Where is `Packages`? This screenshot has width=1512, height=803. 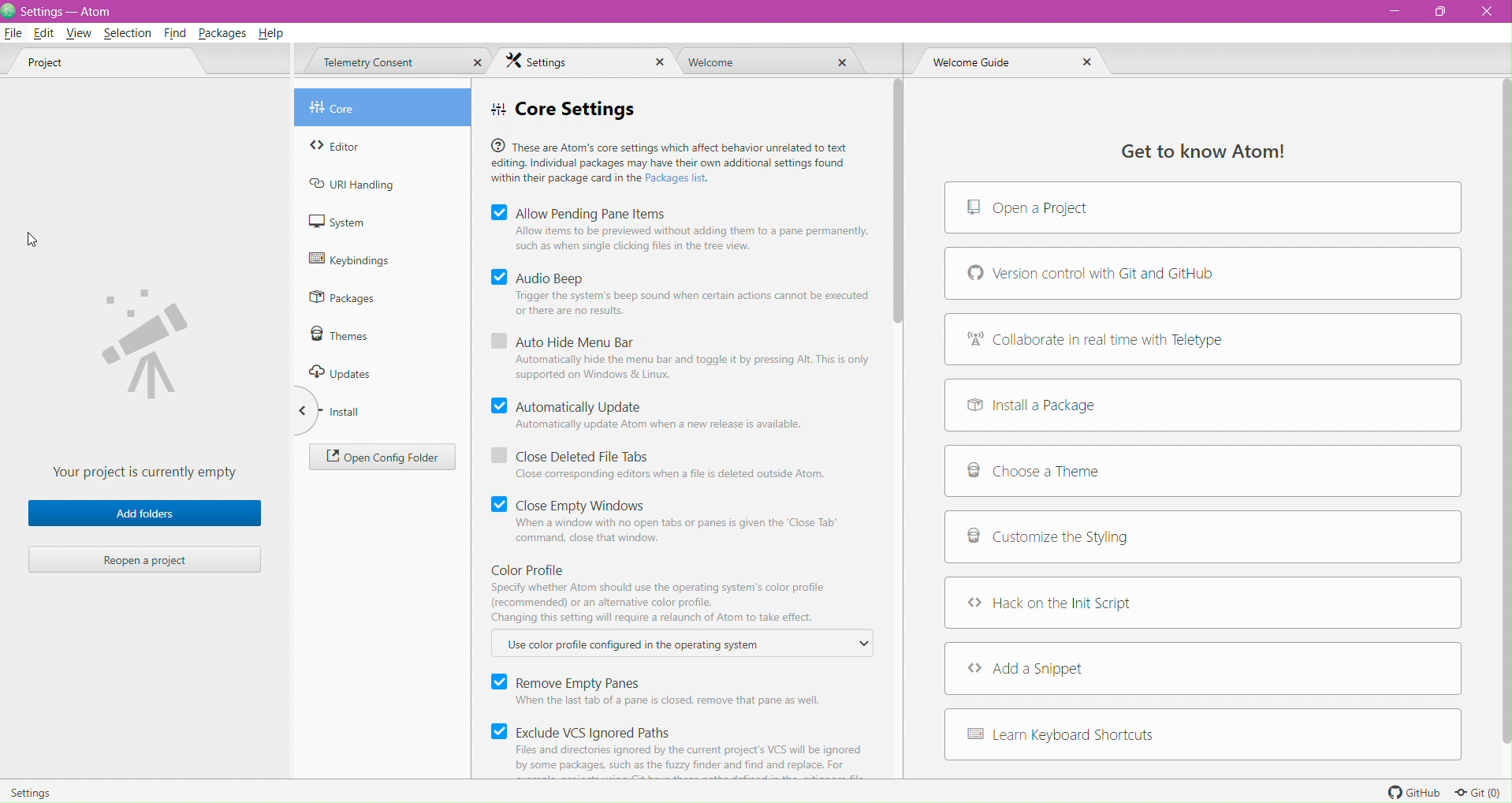 Packages is located at coordinates (222, 32).